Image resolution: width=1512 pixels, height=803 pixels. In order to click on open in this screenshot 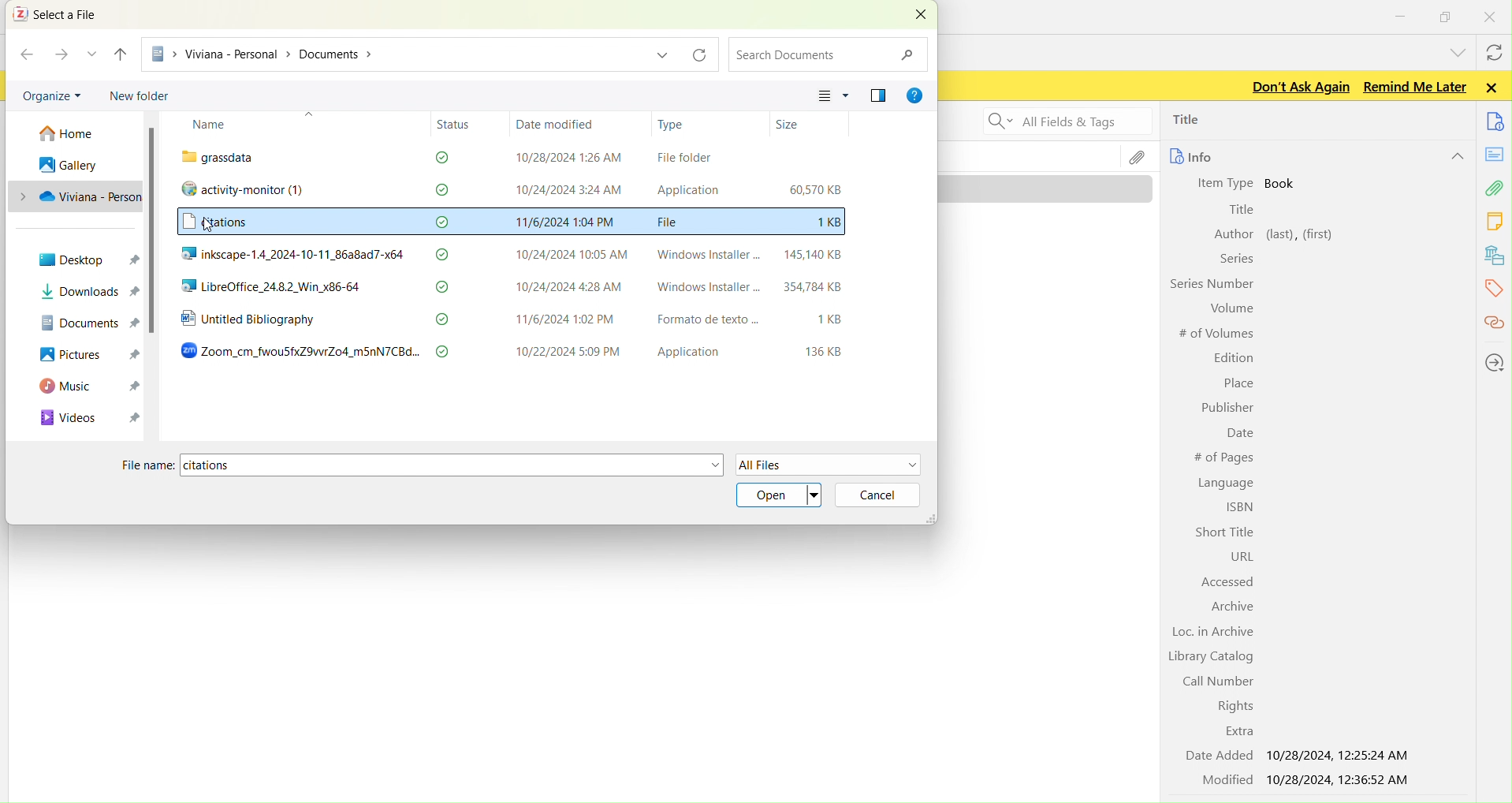, I will do `click(780, 495)`.